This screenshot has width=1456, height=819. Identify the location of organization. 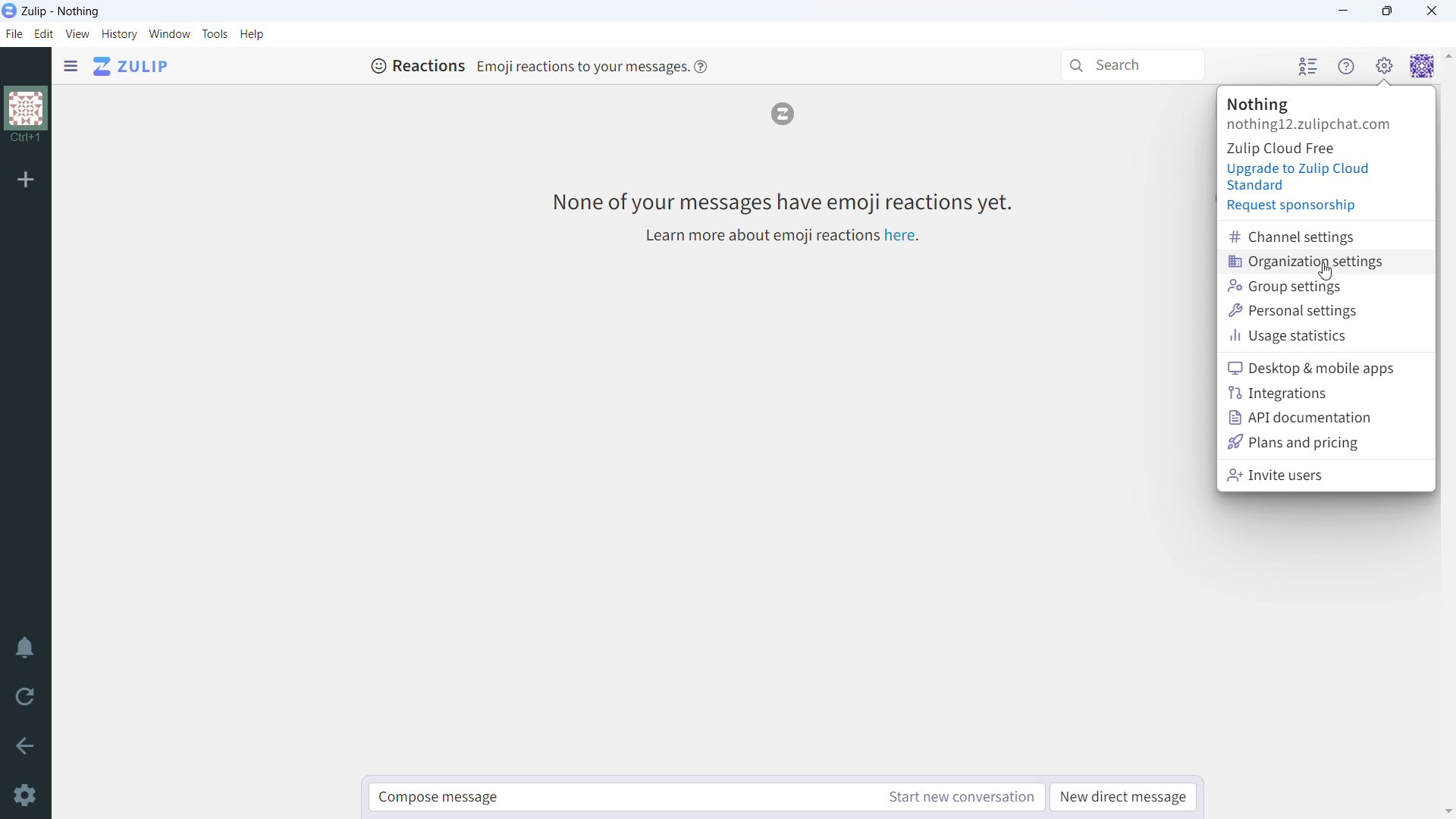
(25, 116).